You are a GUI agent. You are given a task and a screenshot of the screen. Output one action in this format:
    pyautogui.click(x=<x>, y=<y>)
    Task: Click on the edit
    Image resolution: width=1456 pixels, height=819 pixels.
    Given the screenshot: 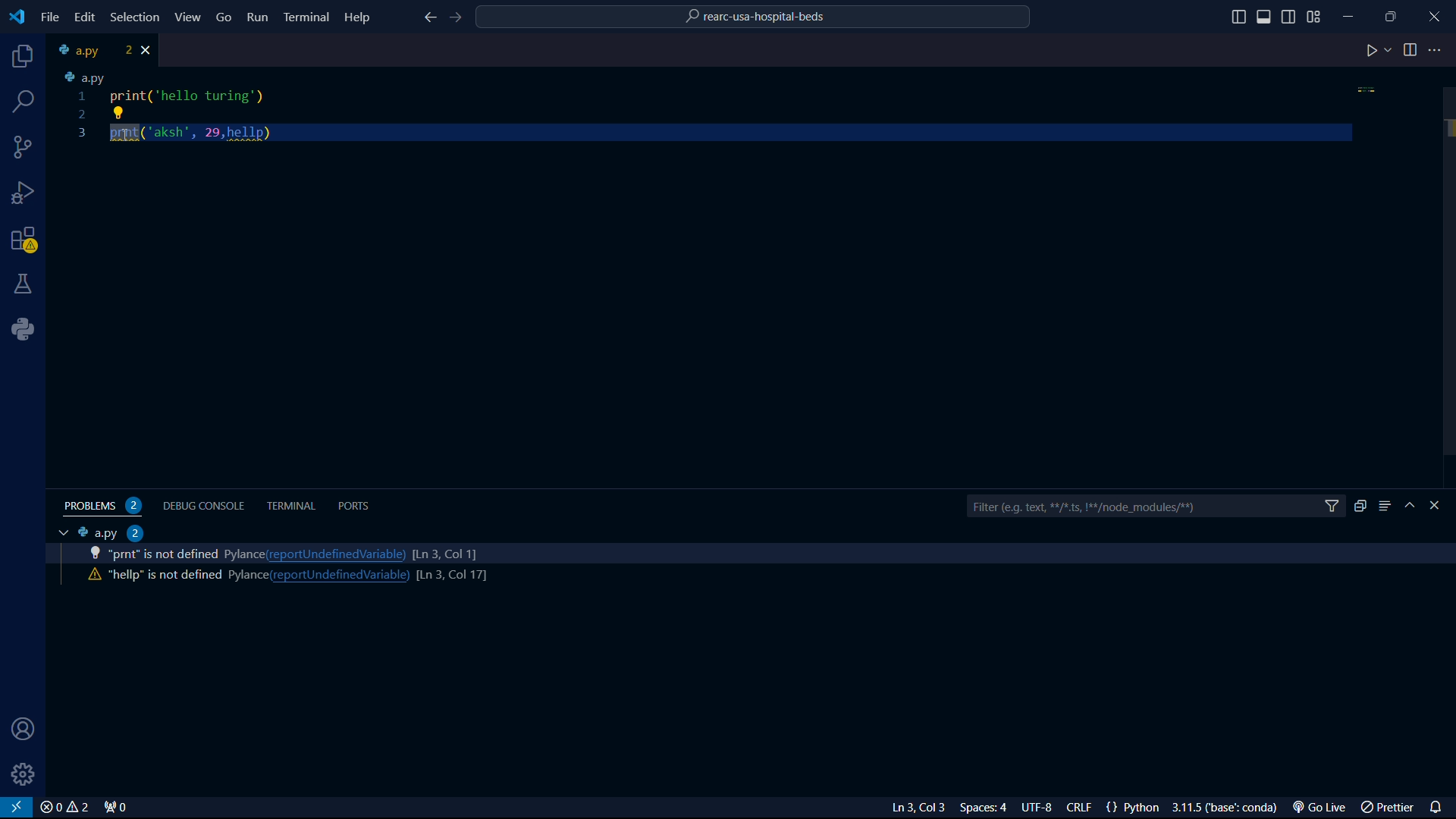 What is the action you would take?
    pyautogui.click(x=83, y=17)
    